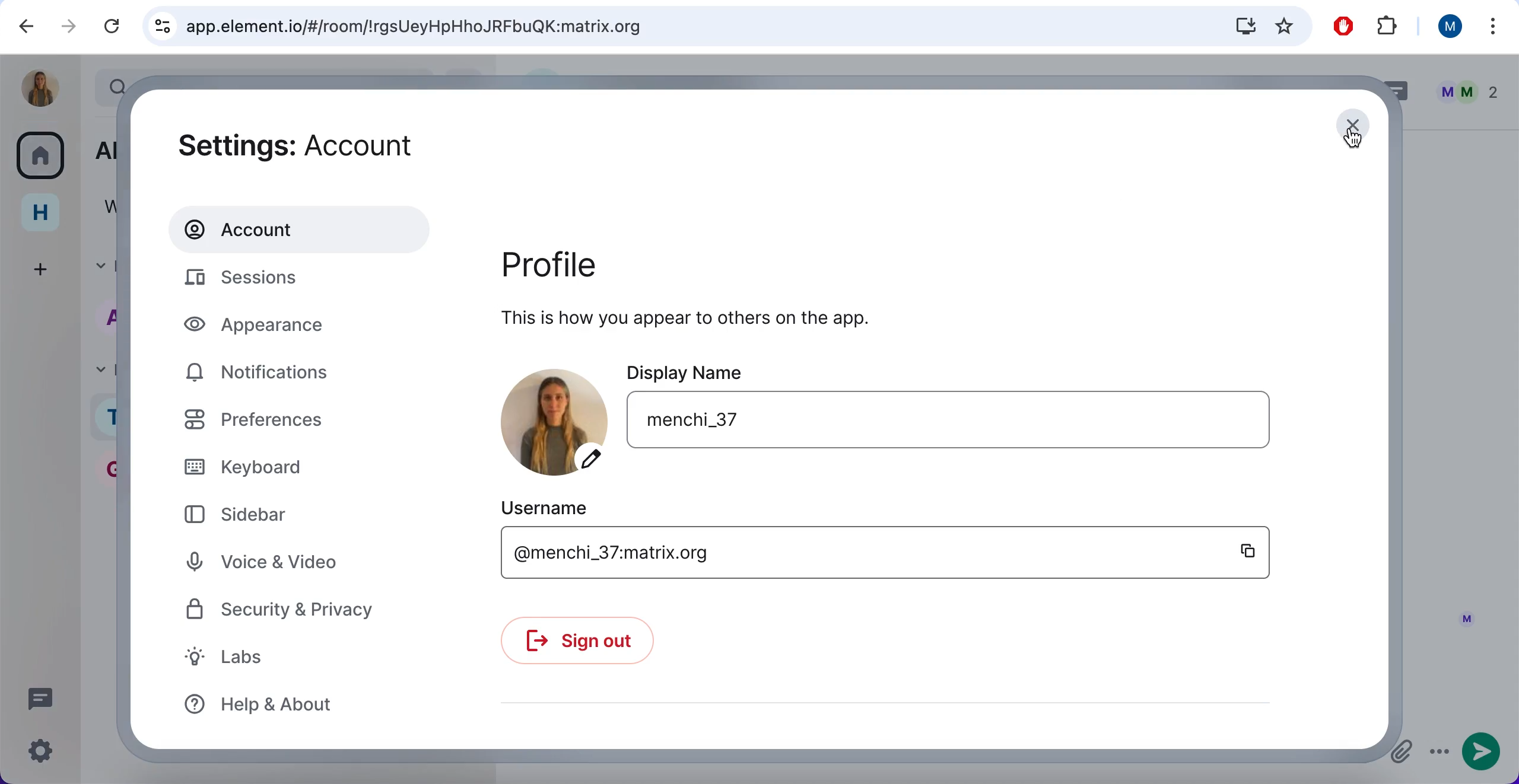  What do you see at coordinates (549, 420) in the screenshot?
I see `new profile picture` at bounding box center [549, 420].